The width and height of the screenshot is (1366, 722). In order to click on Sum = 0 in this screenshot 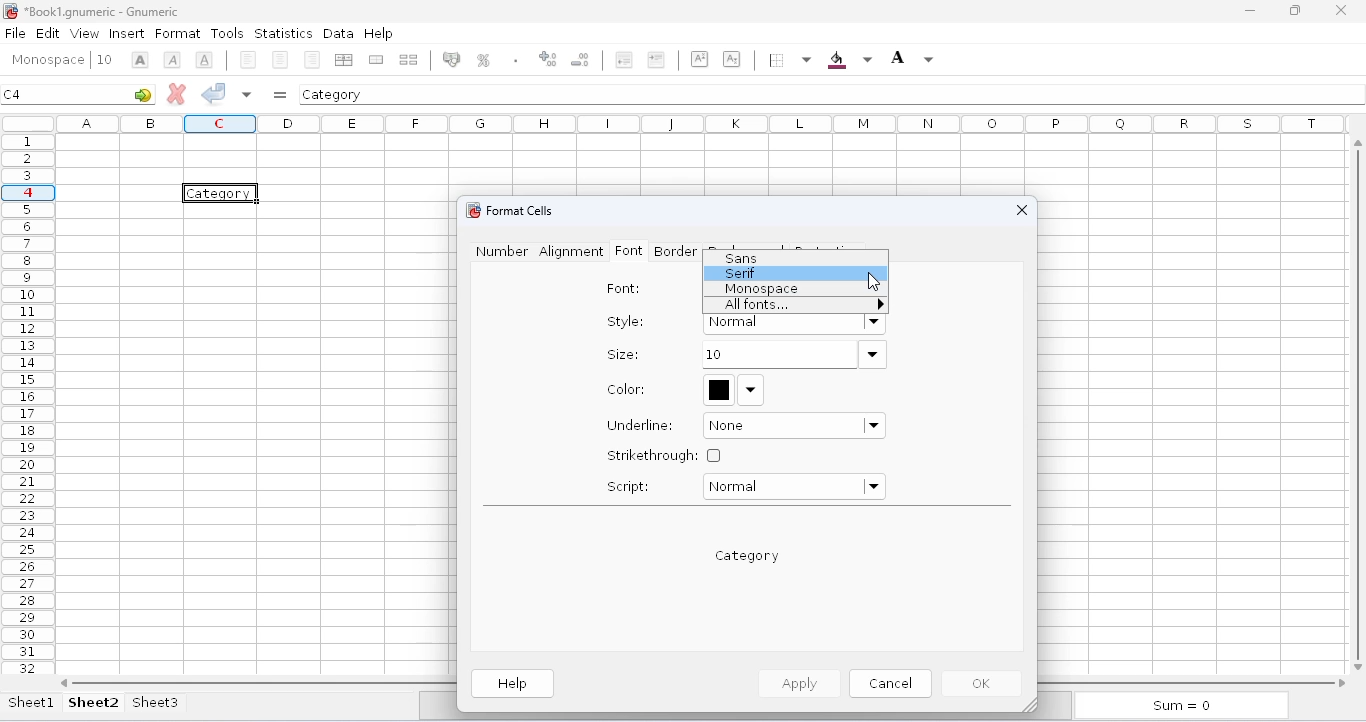, I will do `click(1177, 707)`.